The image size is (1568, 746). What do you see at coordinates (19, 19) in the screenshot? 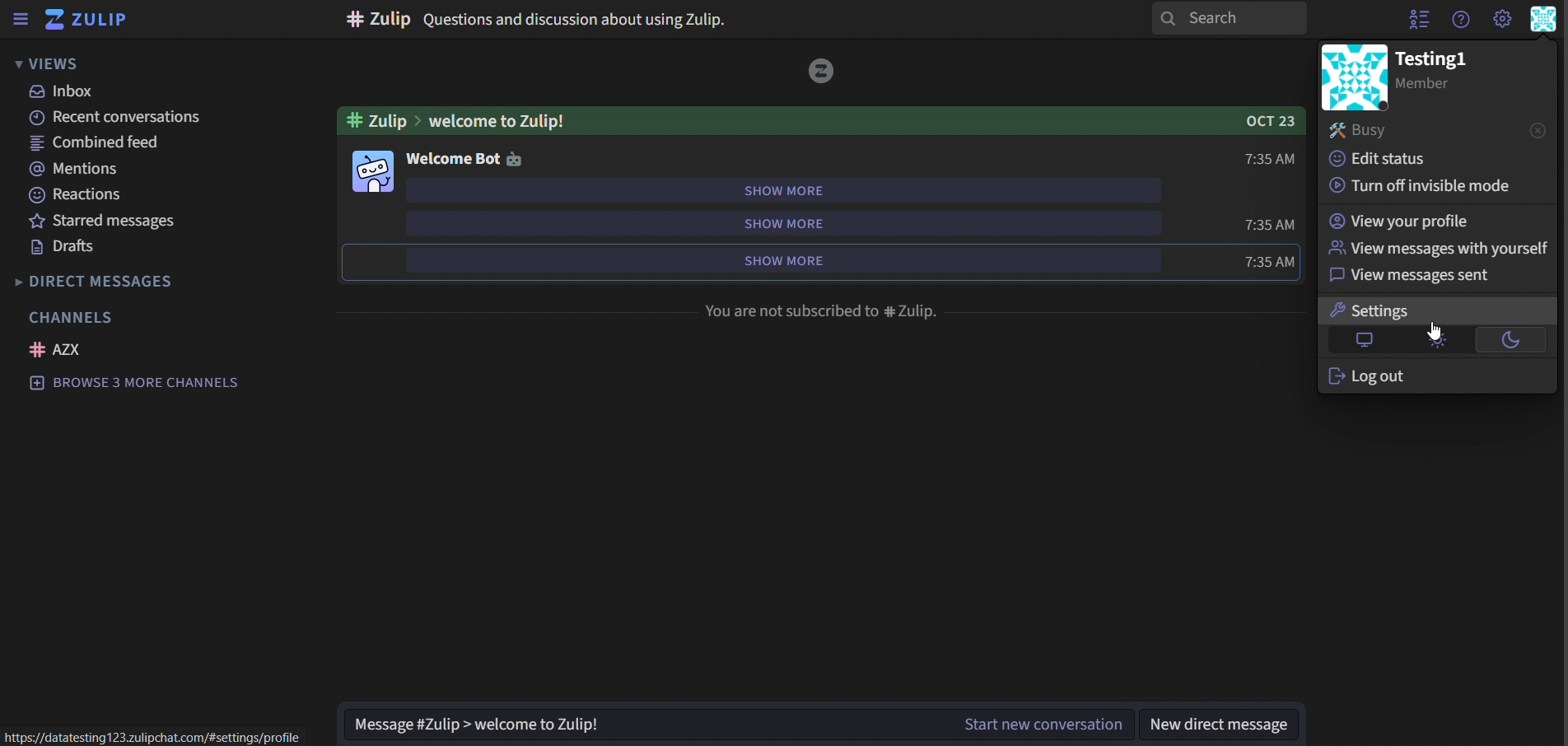
I see `side bar` at bounding box center [19, 19].